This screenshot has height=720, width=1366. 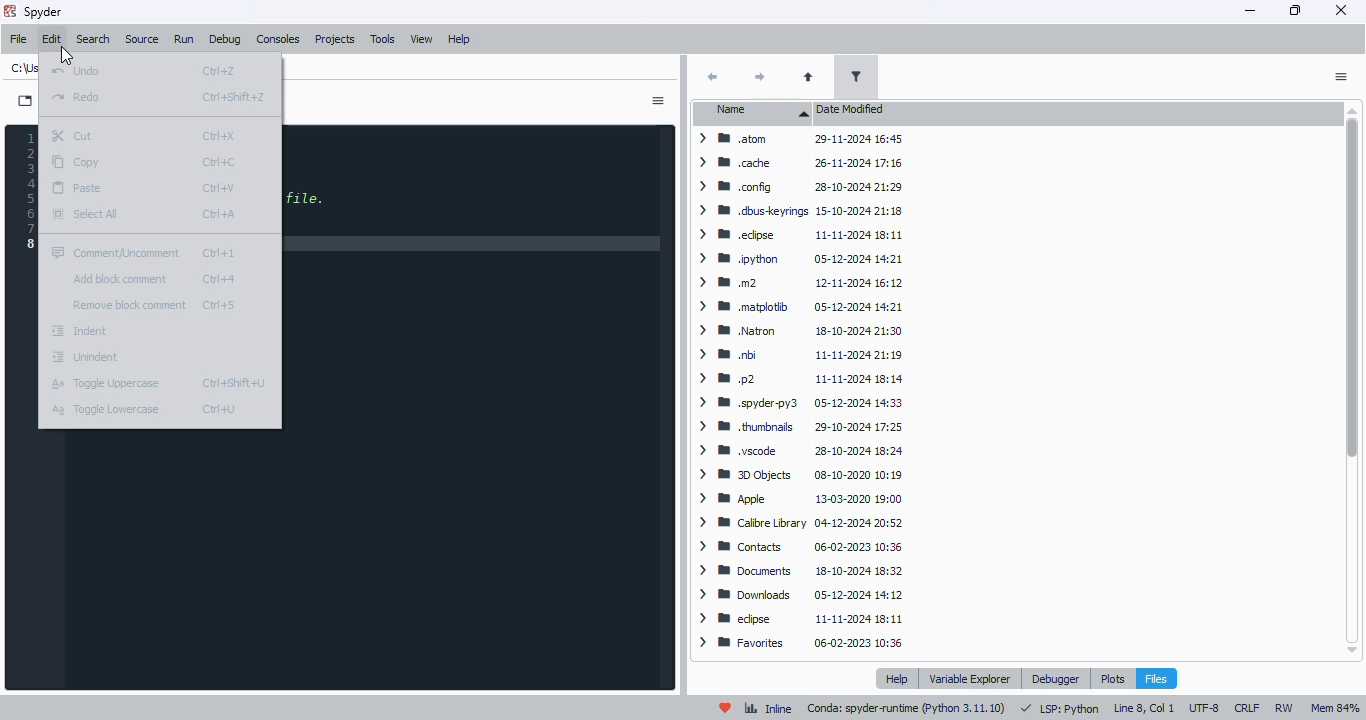 I want to click on > MW edipse 11-11-2024 18:11, so click(x=797, y=234).